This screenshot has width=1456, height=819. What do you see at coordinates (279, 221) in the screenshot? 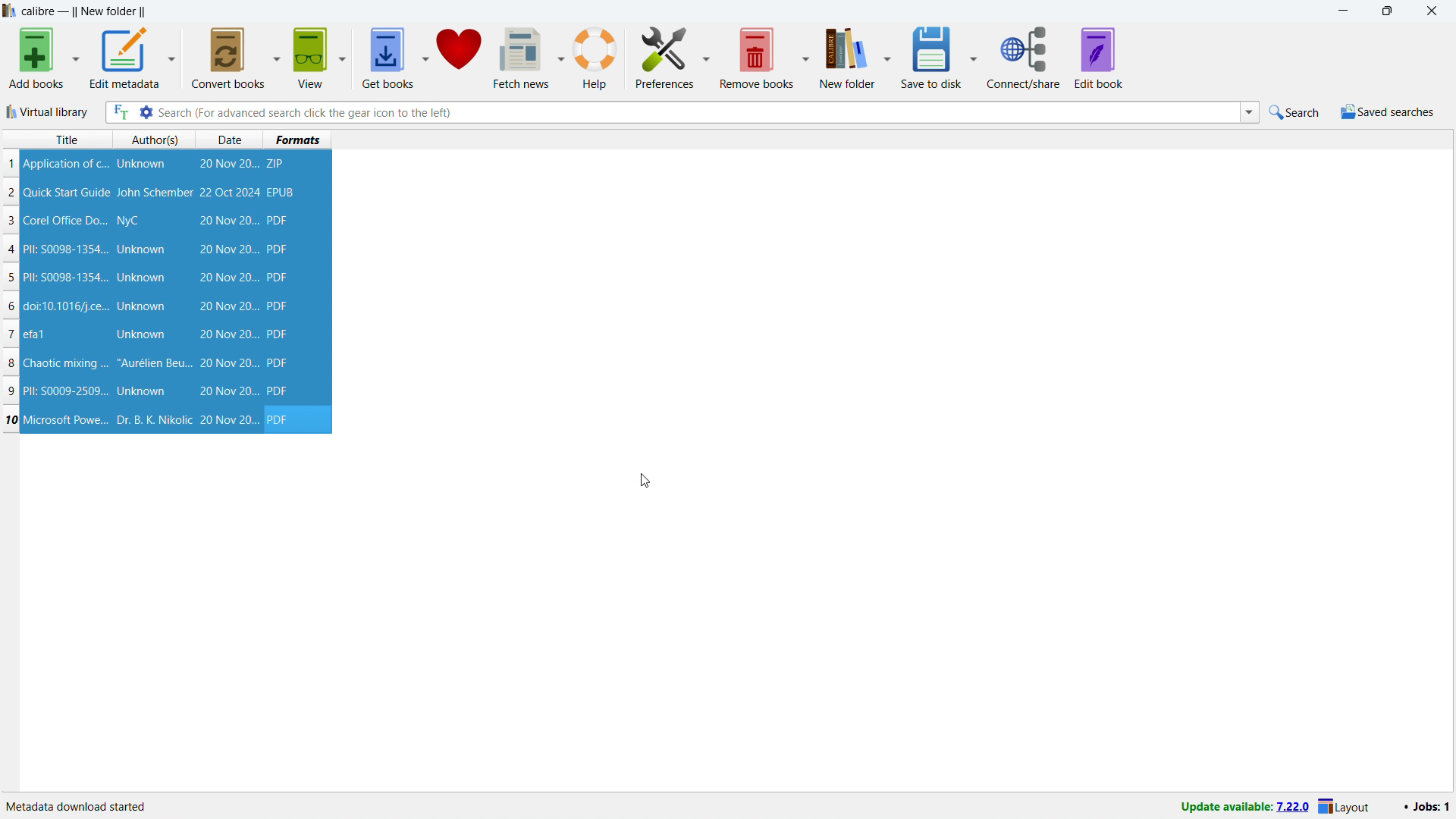
I see `PDF` at bounding box center [279, 221].